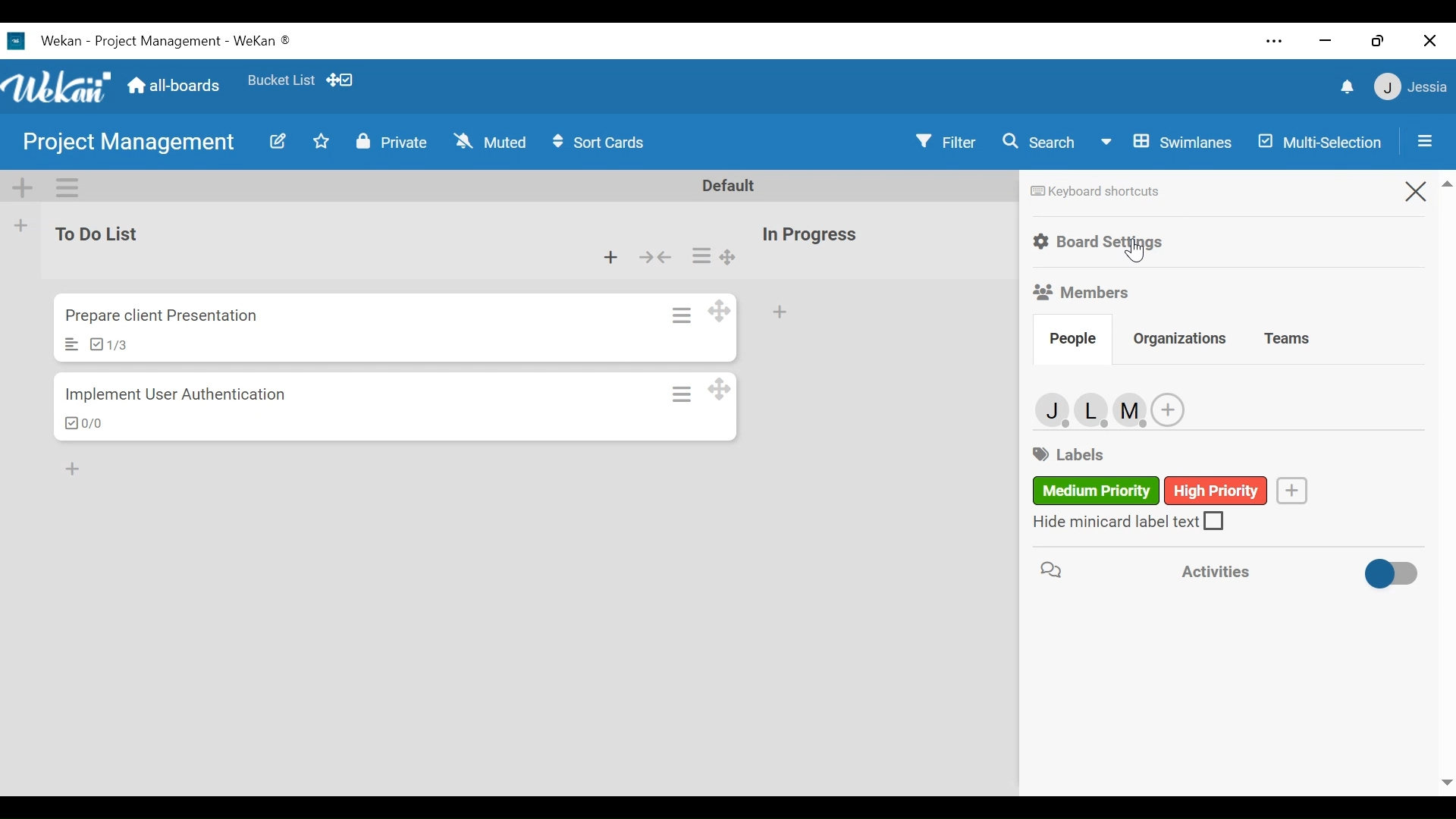 The width and height of the screenshot is (1456, 819). I want to click on Desktop drag handles, so click(730, 257).